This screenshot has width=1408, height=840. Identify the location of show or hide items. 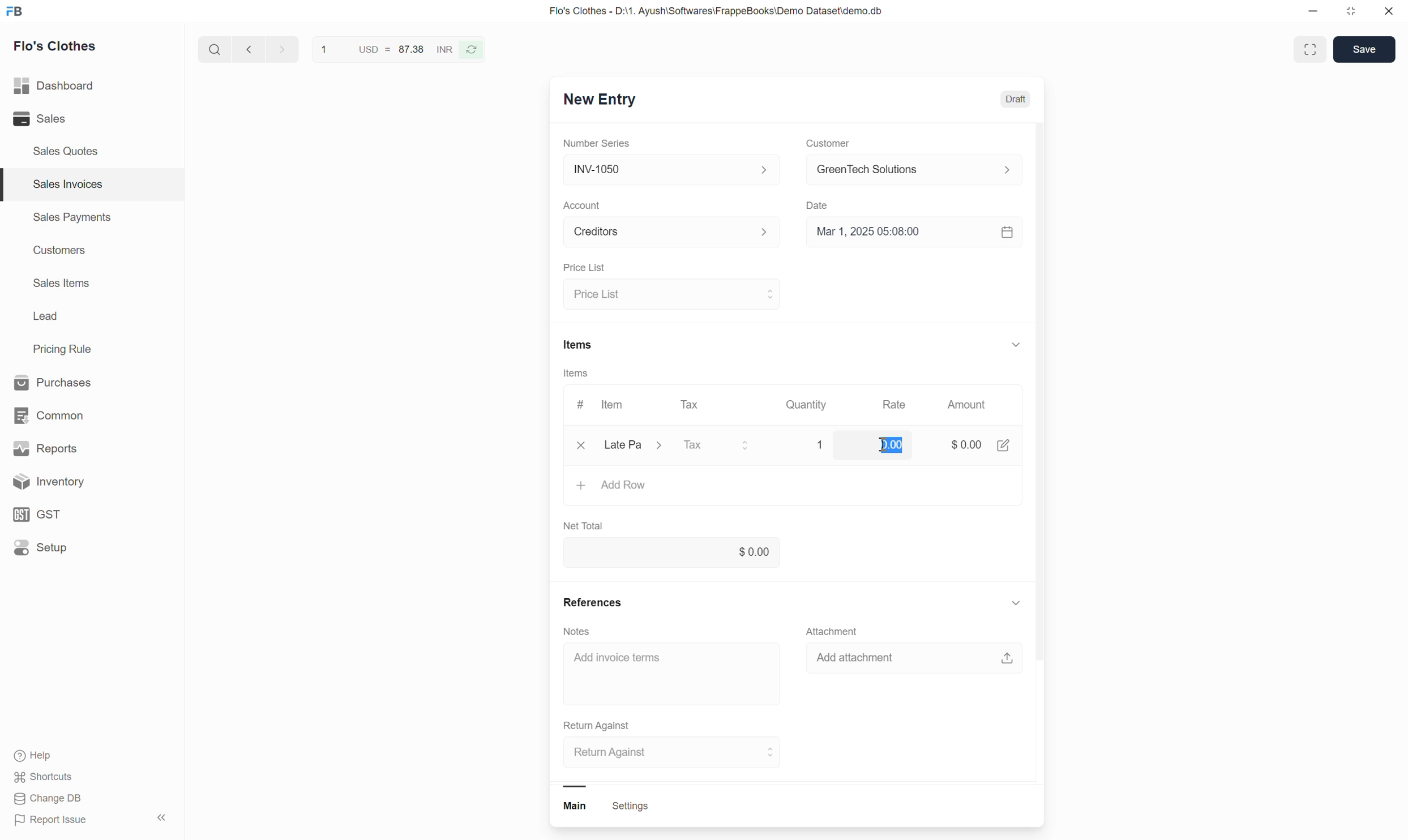
(1016, 342).